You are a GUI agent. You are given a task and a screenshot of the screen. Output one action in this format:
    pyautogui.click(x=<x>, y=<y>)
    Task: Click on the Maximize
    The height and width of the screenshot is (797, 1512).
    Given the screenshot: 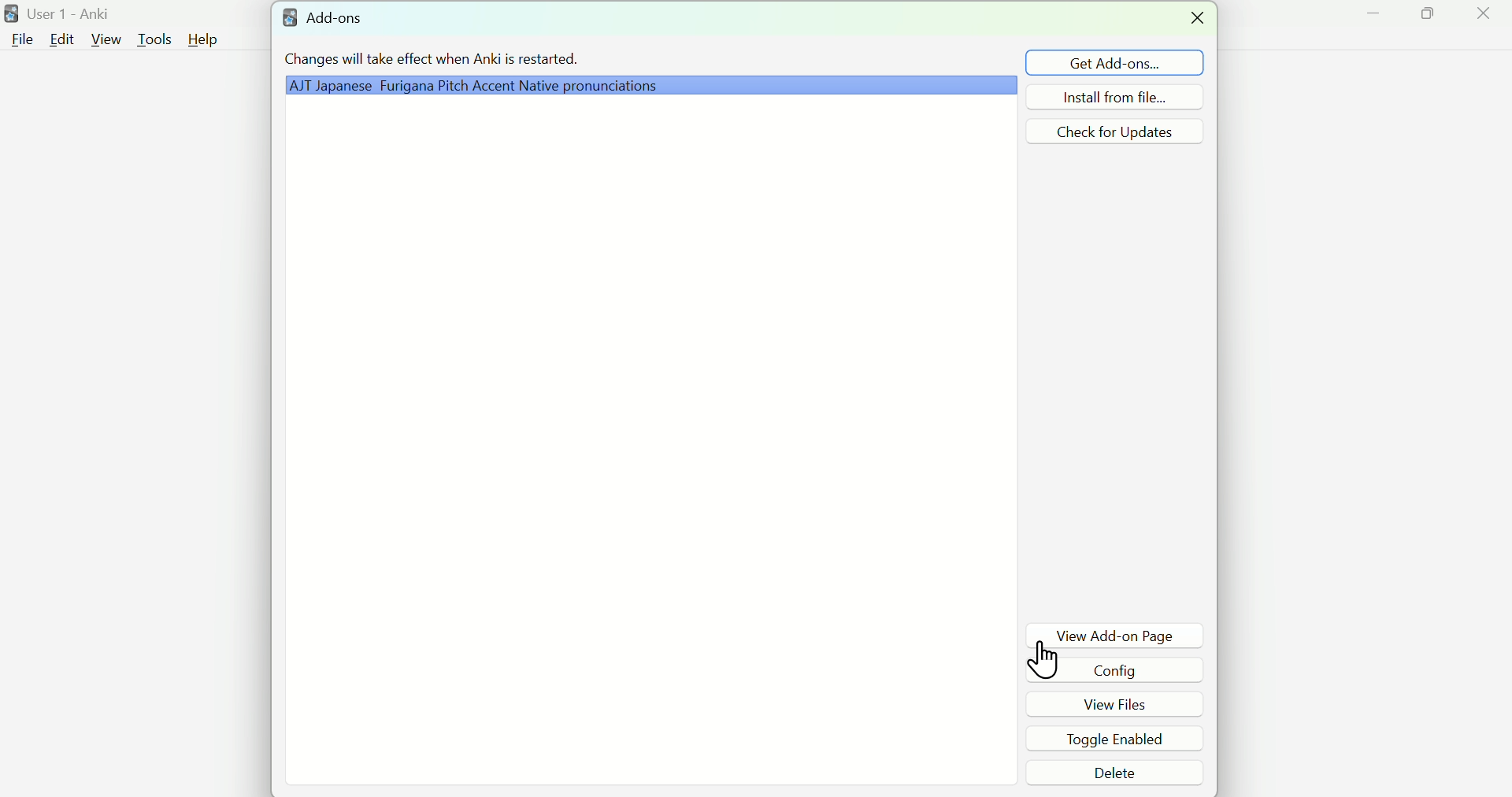 What is the action you would take?
    pyautogui.click(x=1434, y=19)
    